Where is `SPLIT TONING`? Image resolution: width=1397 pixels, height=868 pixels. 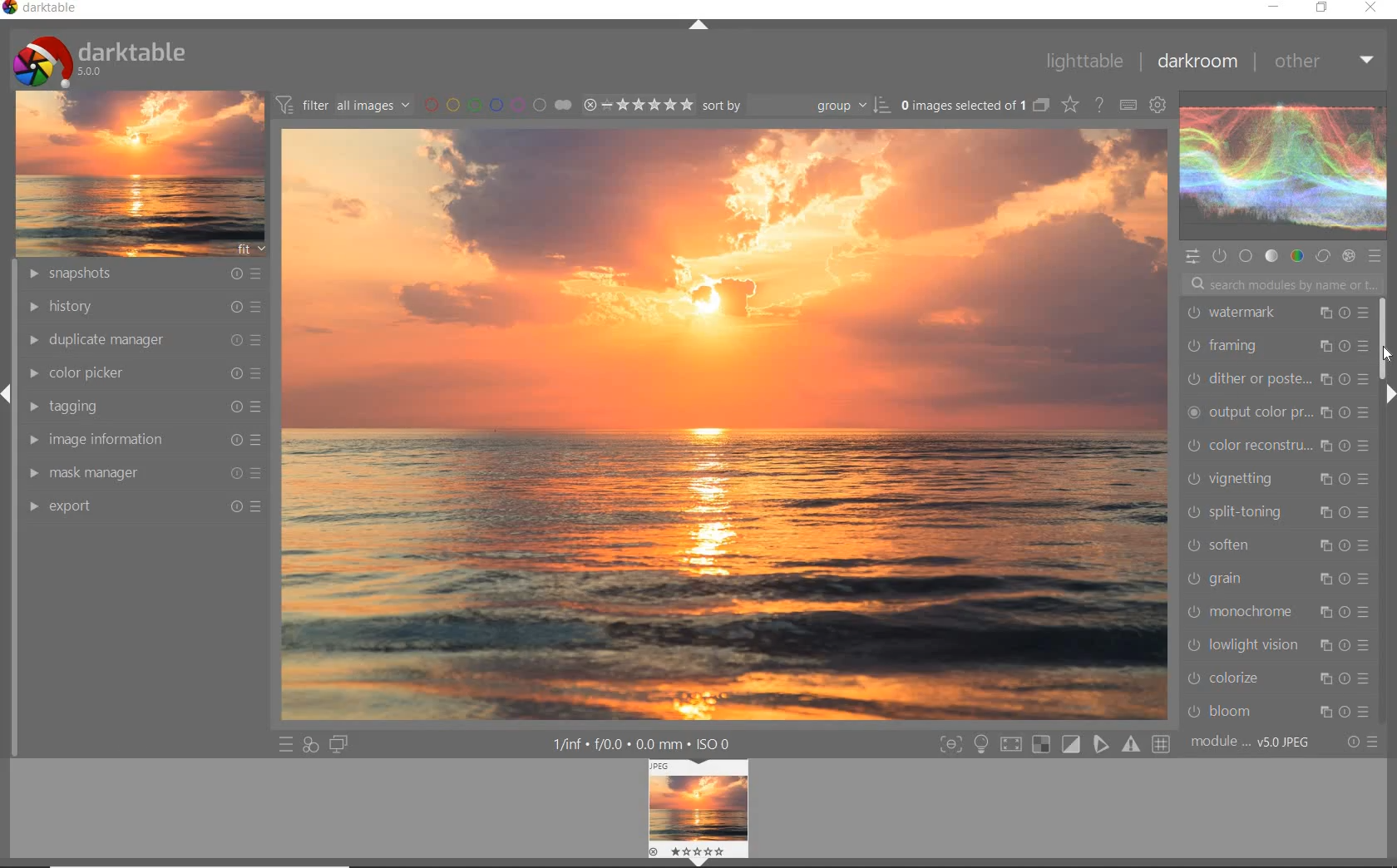
SPLIT TONING is located at coordinates (1278, 513).